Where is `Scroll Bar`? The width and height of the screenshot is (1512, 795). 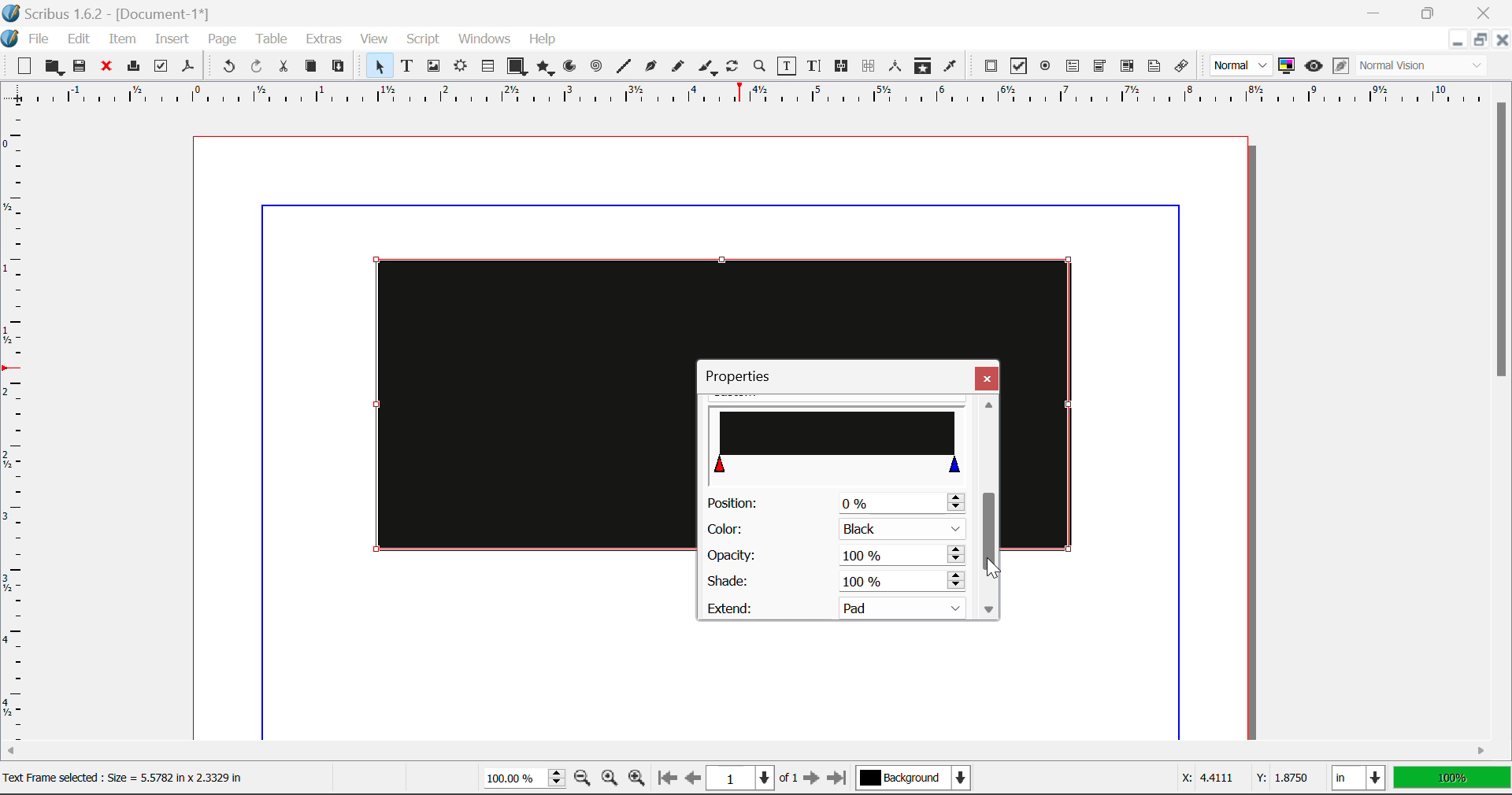
Scroll Bar is located at coordinates (1503, 411).